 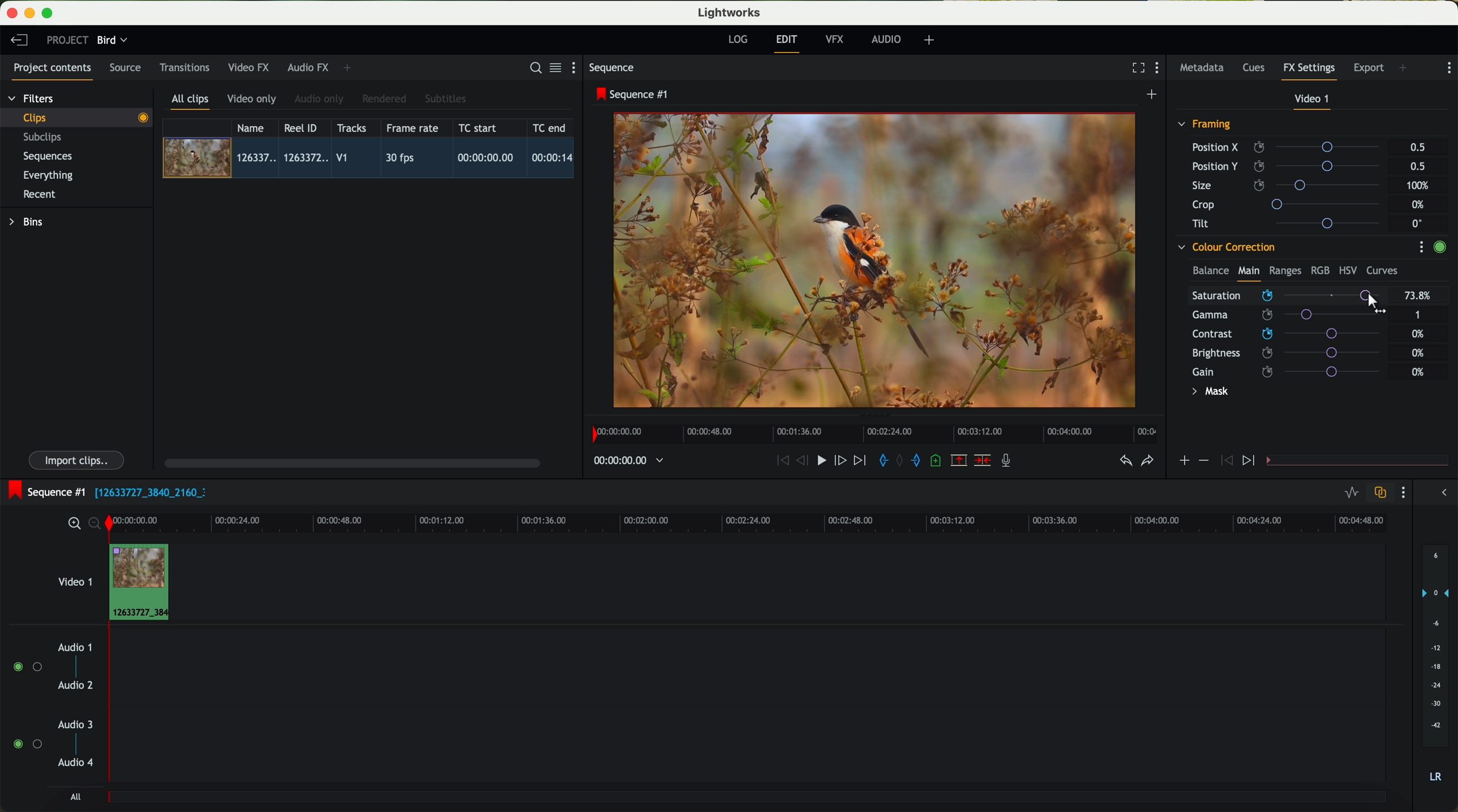 What do you see at coordinates (554, 67) in the screenshot?
I see `toggle between list and title view` at bounding box center [554, 67].